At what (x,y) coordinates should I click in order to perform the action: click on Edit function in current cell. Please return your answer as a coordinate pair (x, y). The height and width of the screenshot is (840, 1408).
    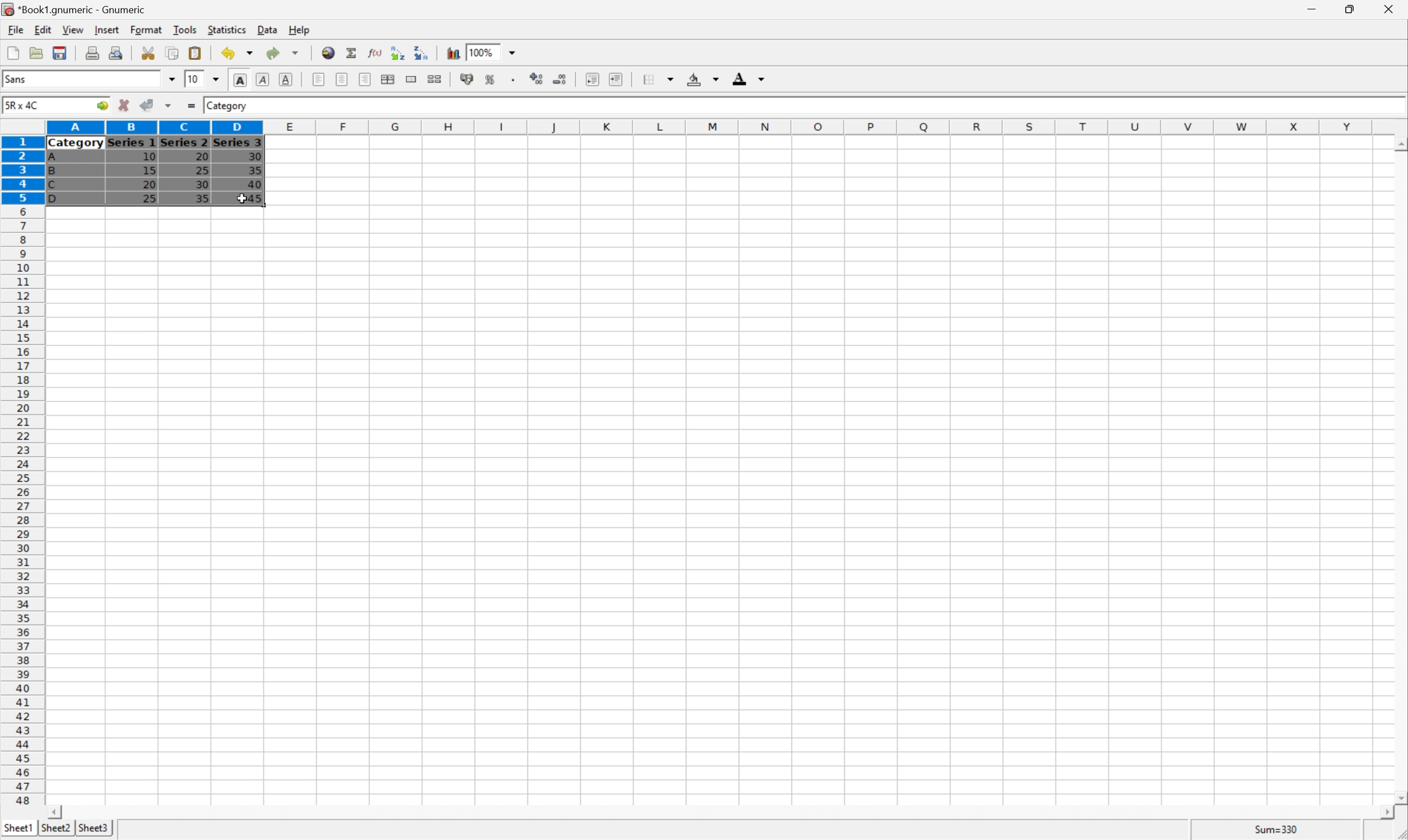
    Looking at the image, I should click on (376, 53).